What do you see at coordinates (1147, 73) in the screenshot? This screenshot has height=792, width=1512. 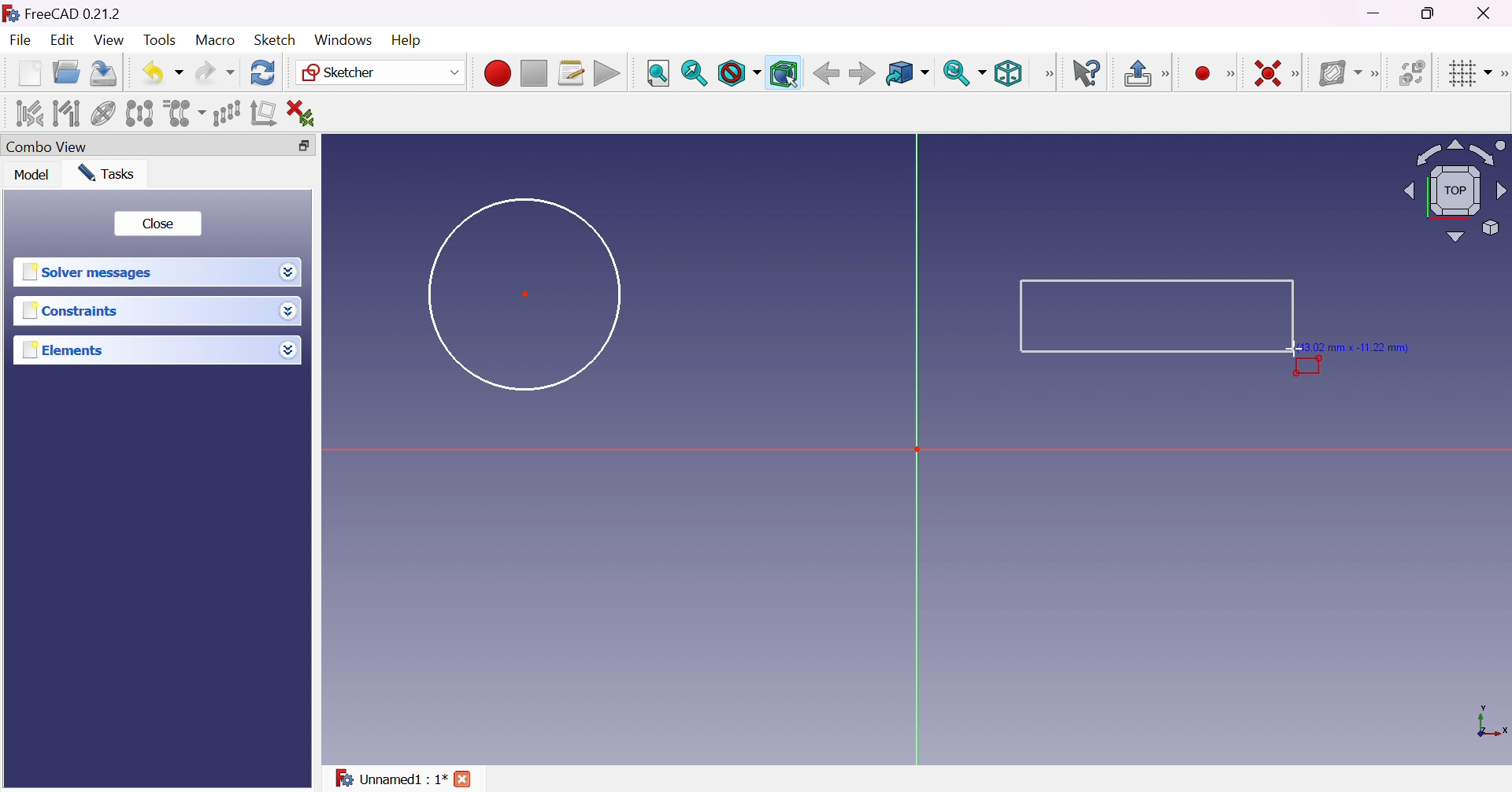 I see `Leave sketch` at bounding box center [1147, 73].